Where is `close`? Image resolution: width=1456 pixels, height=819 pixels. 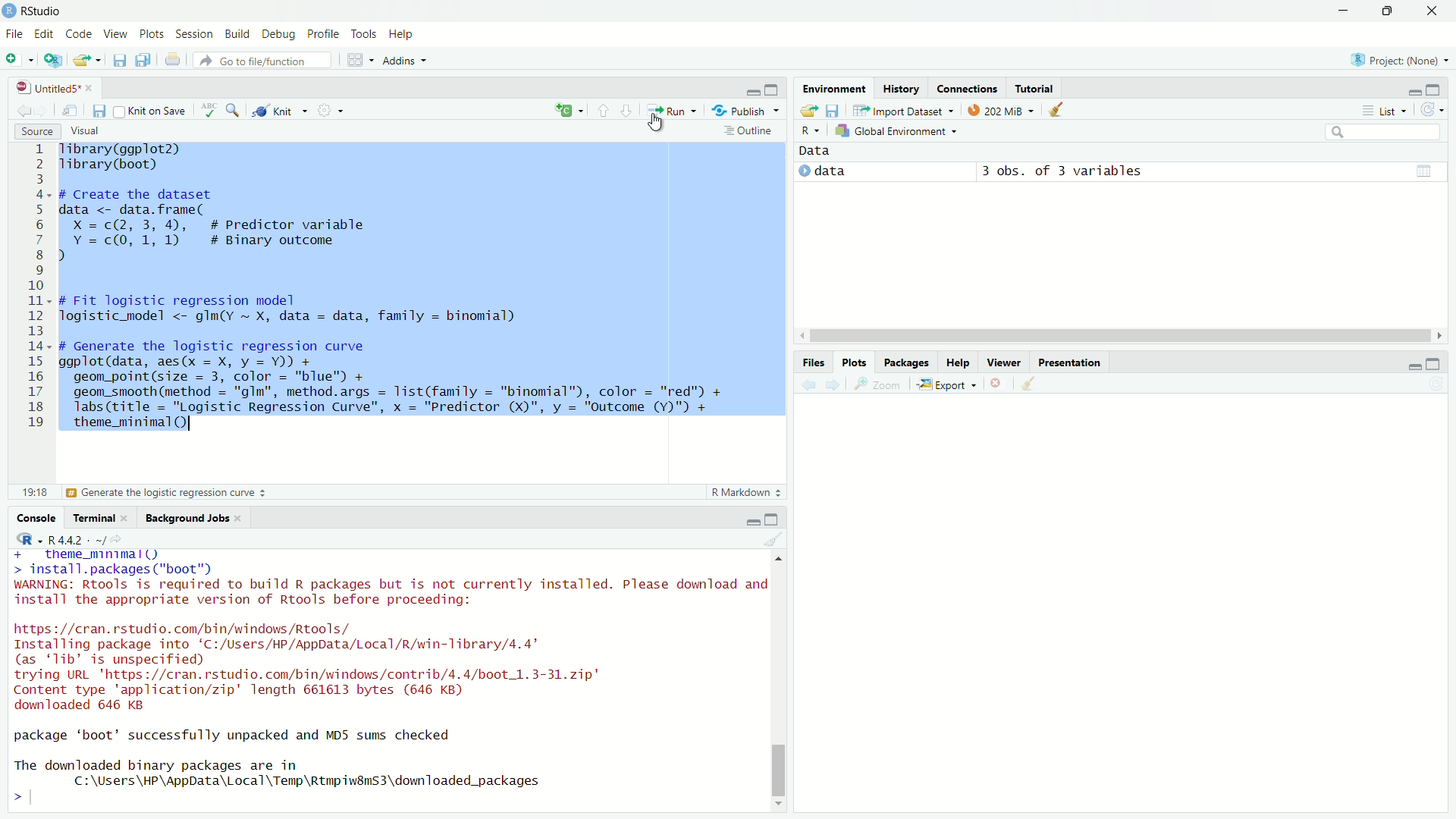
close is located at coordinates (237, 518).